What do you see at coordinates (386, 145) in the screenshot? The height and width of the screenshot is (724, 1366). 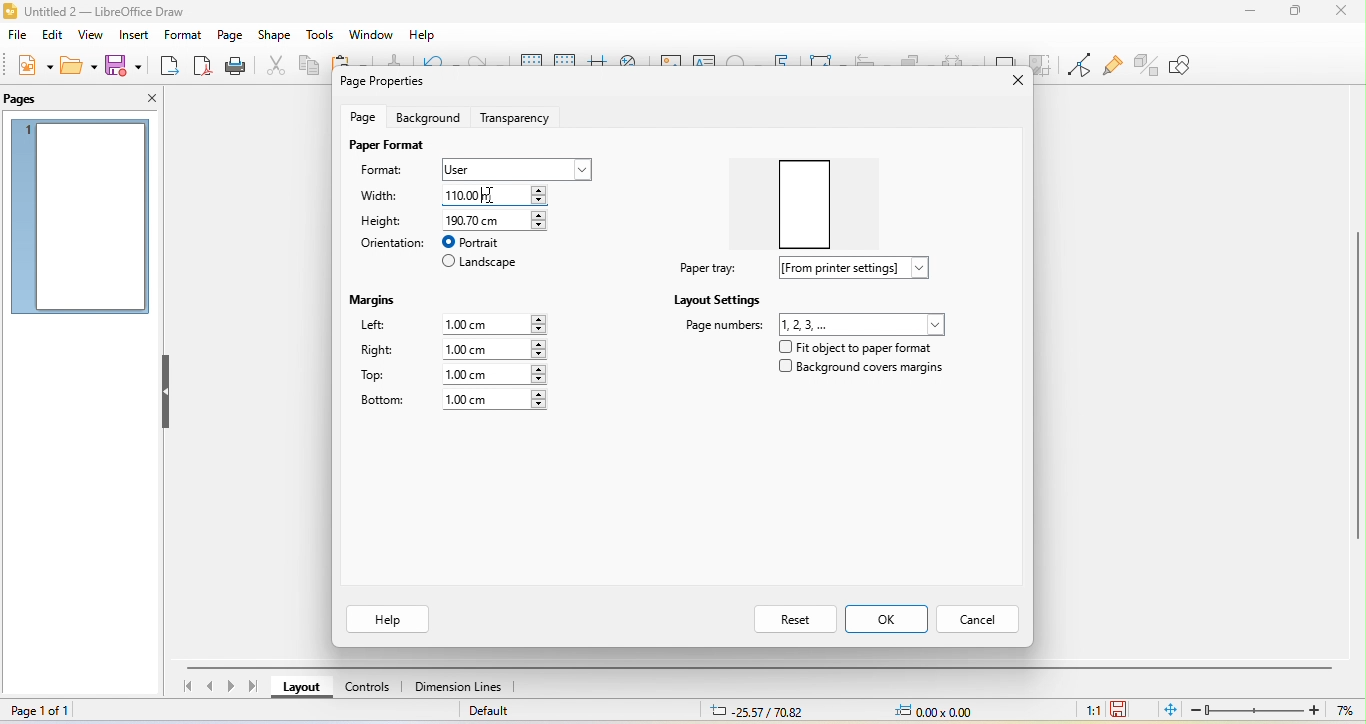 I see `paper format` at bounding box center [386, 145].